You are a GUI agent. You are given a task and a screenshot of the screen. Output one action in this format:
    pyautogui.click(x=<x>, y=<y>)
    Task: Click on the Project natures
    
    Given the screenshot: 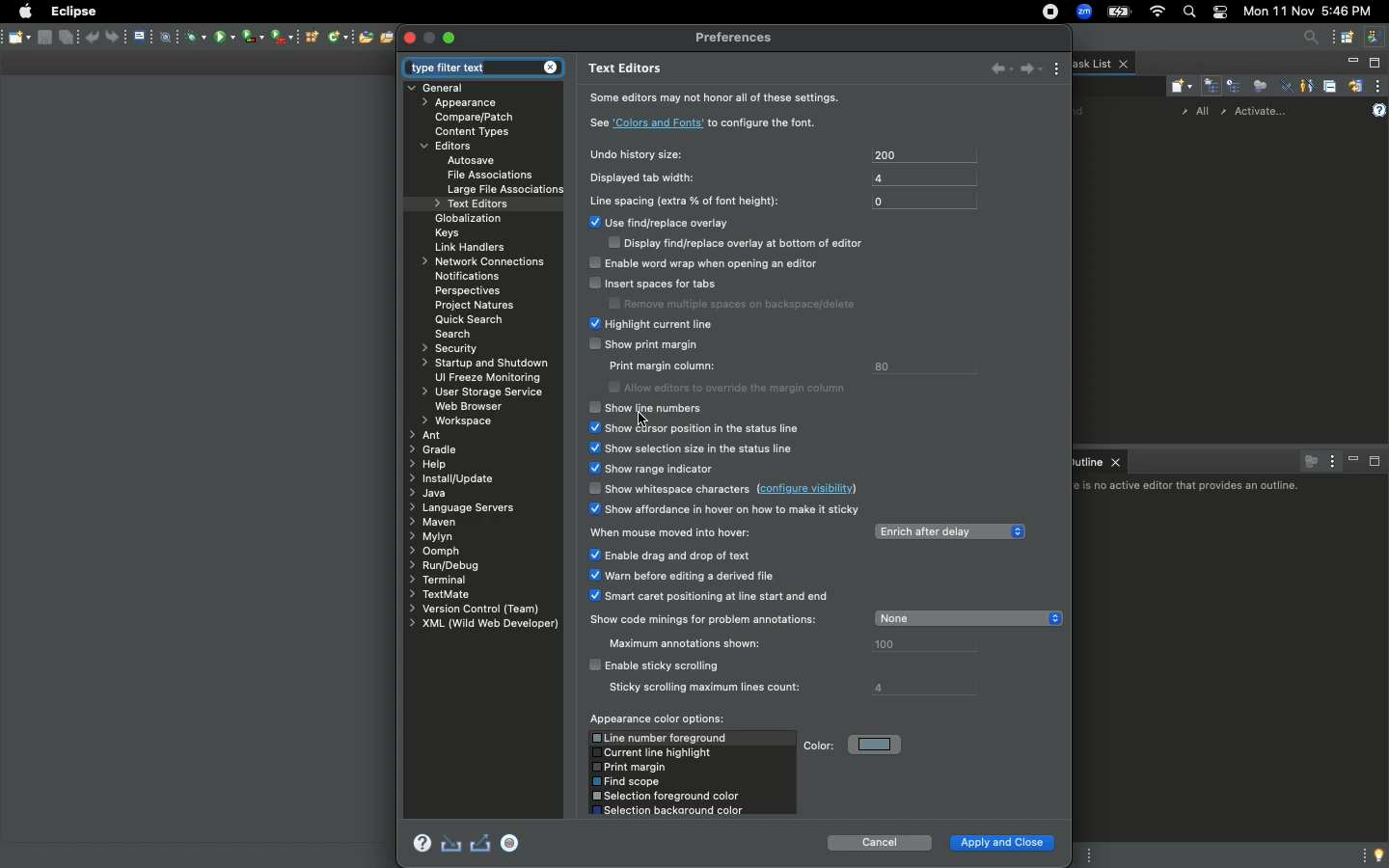 What is the action you would take?
    pyautogui.click(x=474, y=307)
    